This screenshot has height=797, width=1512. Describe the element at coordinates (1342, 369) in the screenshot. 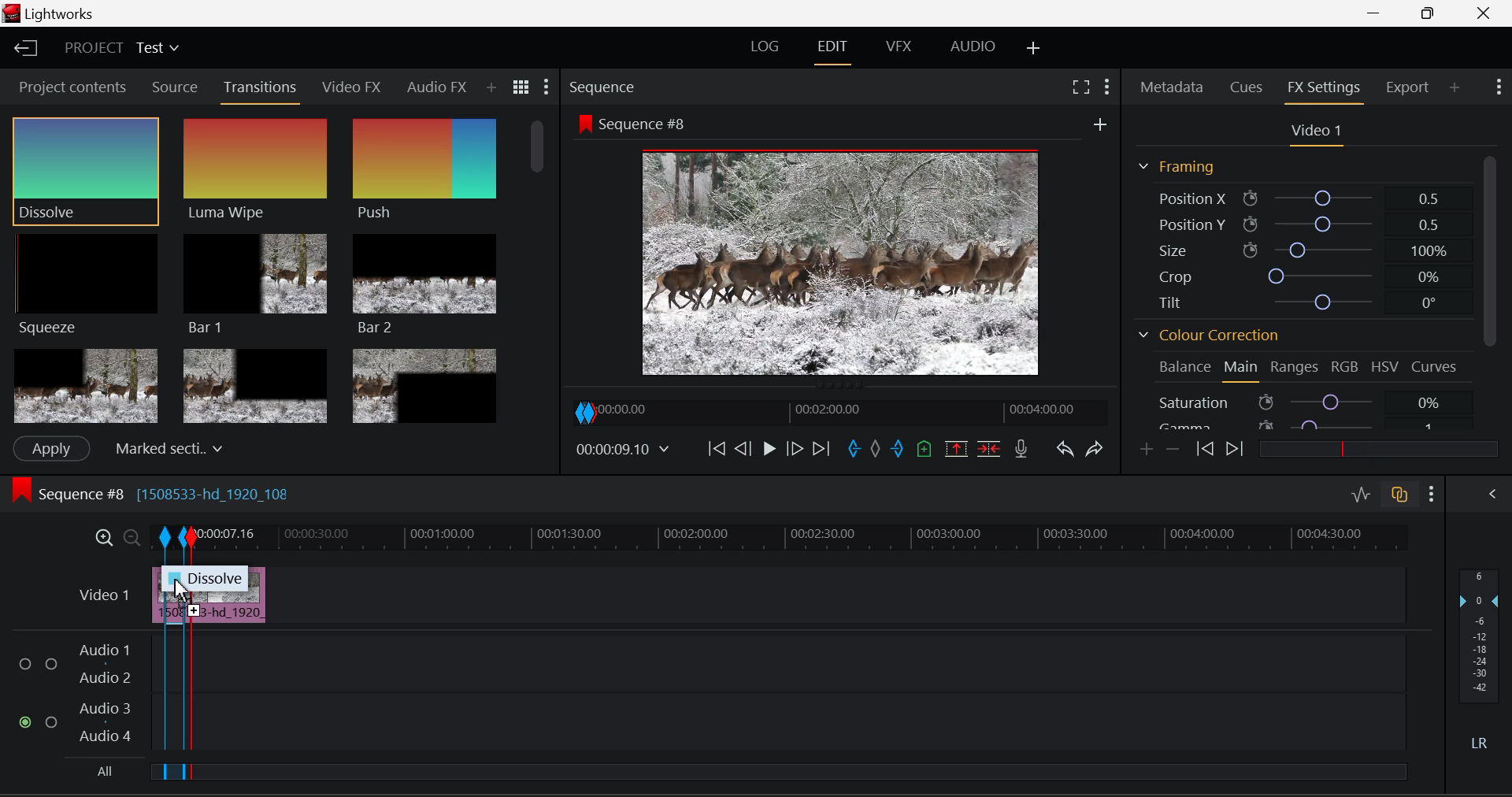

I see `RGB` at that location.